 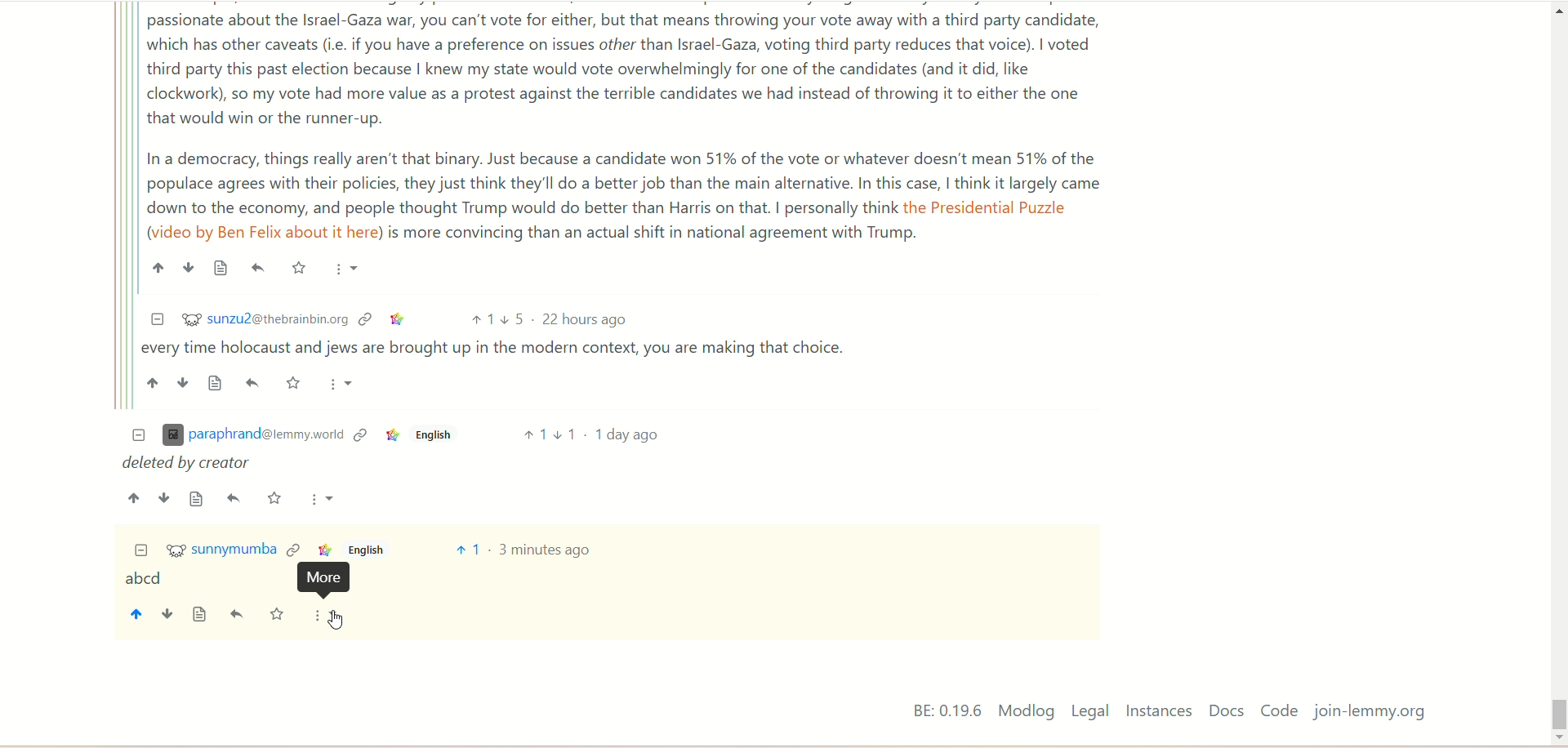 What do you see at coordinates (298, 267) in the screenshot?
I see `Starred` at bounding box center [298, 267].